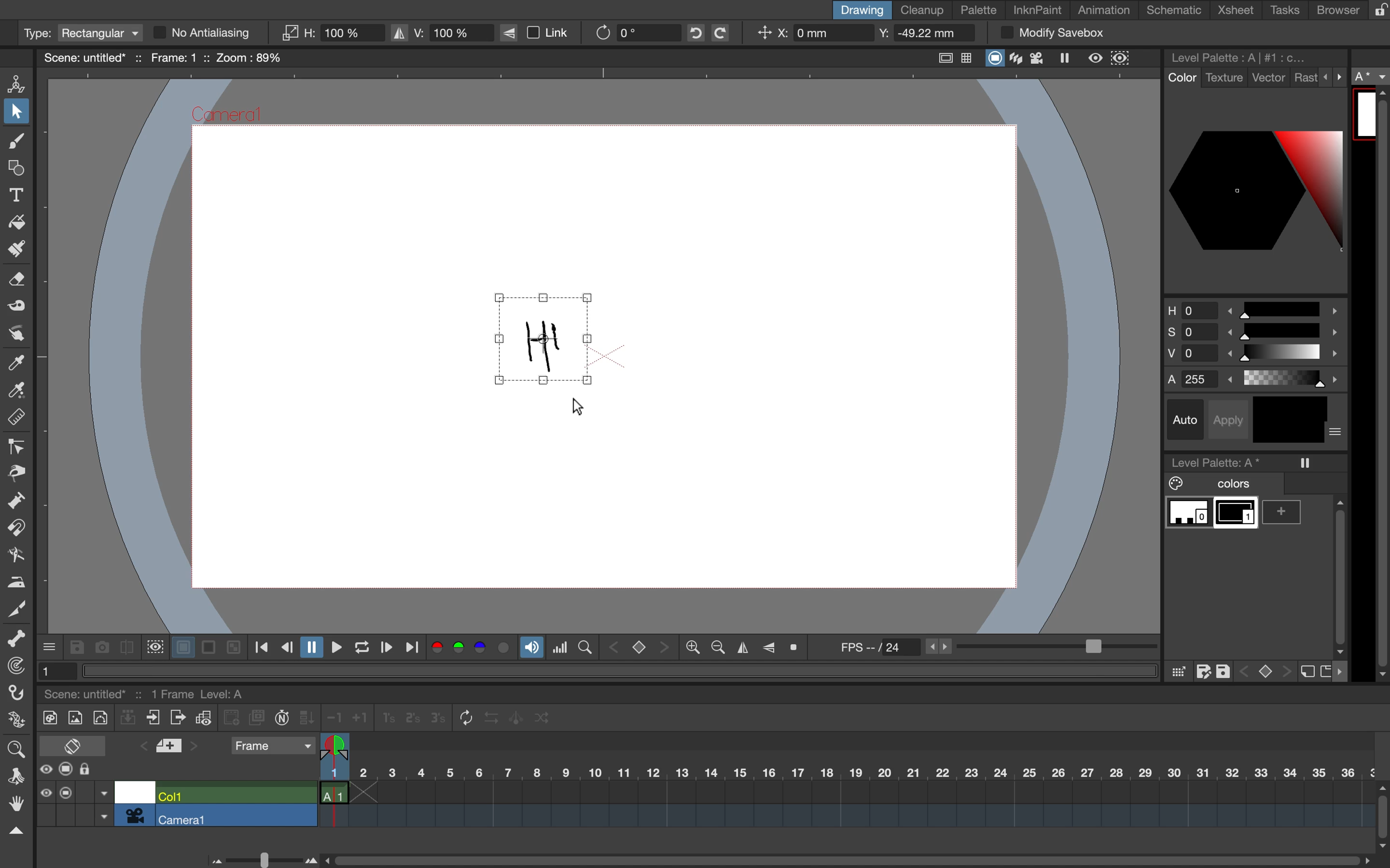  I want to click on pump tool, so click(18, 502).